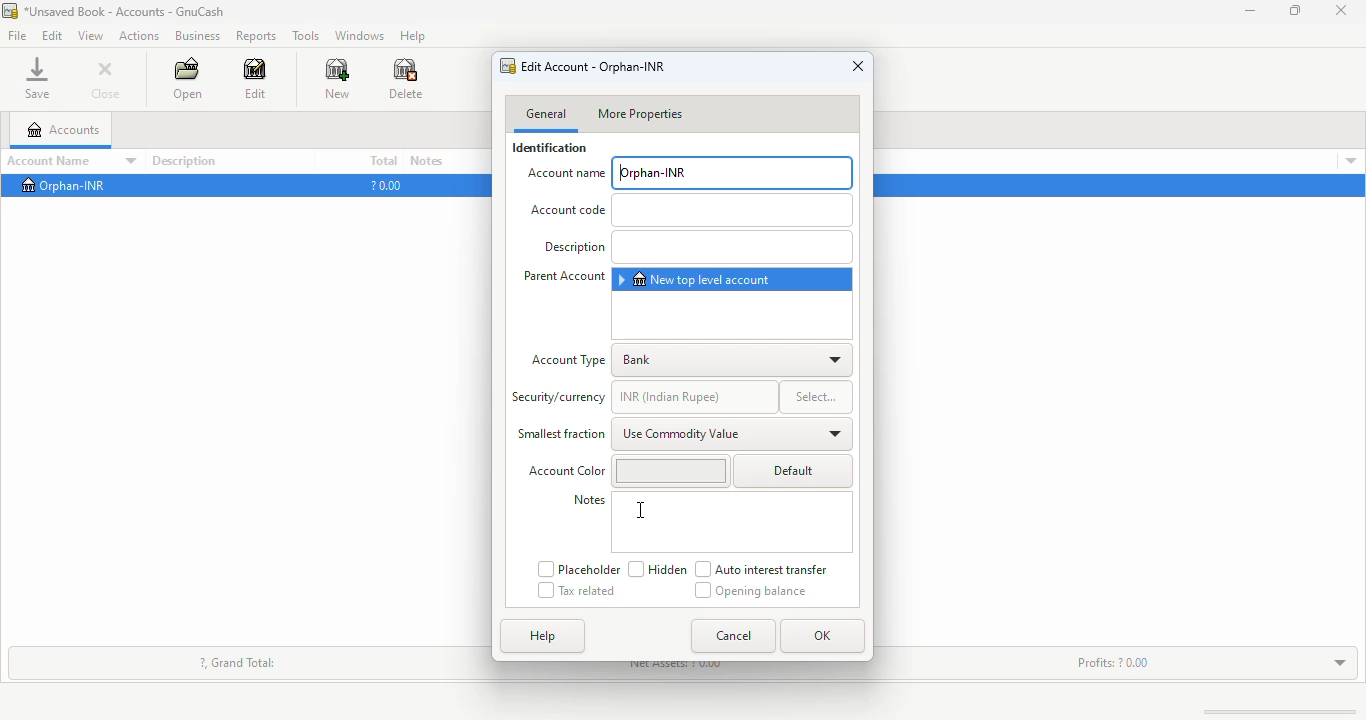 This screenshot has width=1366, height=720. Describe the element at coordinates (386, 184) in the screenshot. I see `?0.00` at that location.